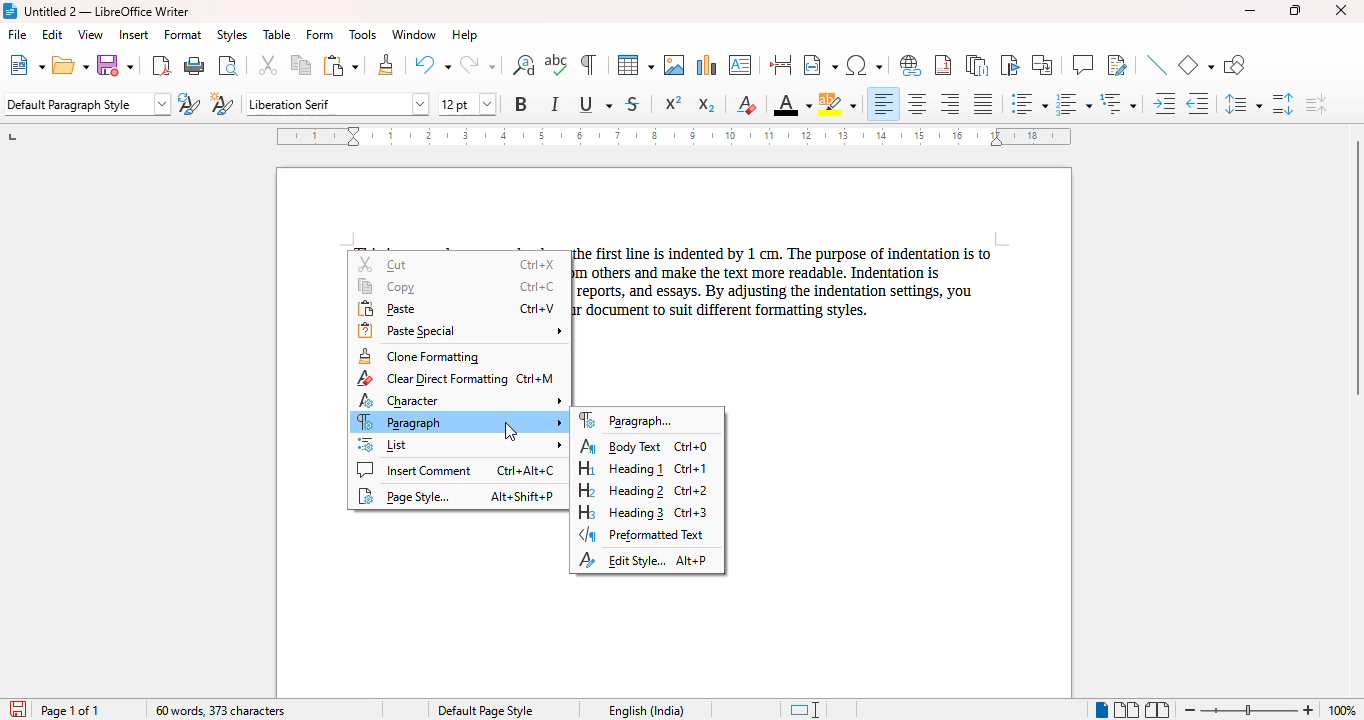 The height and width of the screenshot is (720, 1364). Describe the element at coordinates (631, 420) in the screenshot. I see `paragraph` at that location.